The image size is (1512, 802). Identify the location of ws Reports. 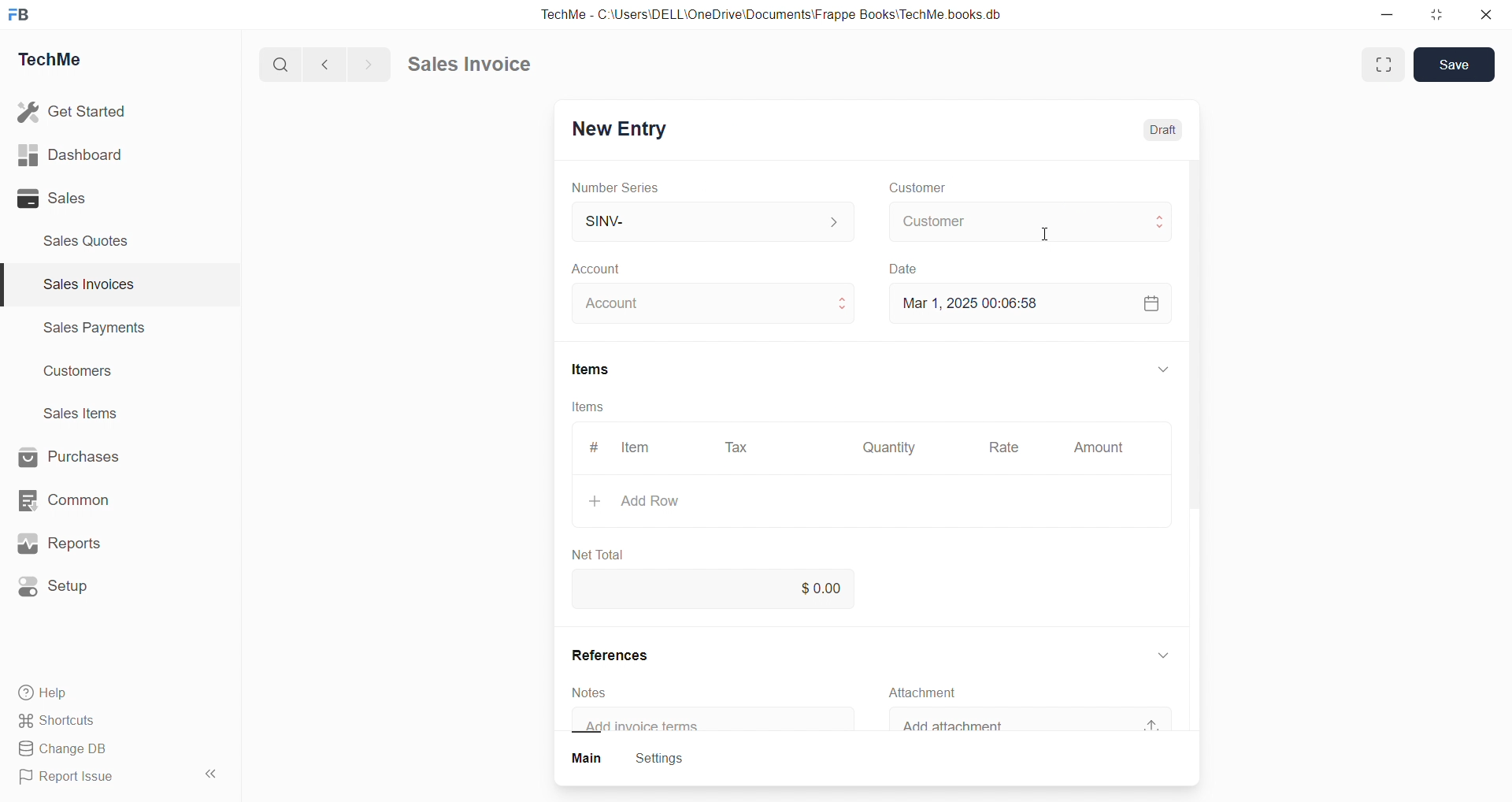
(74, 544).